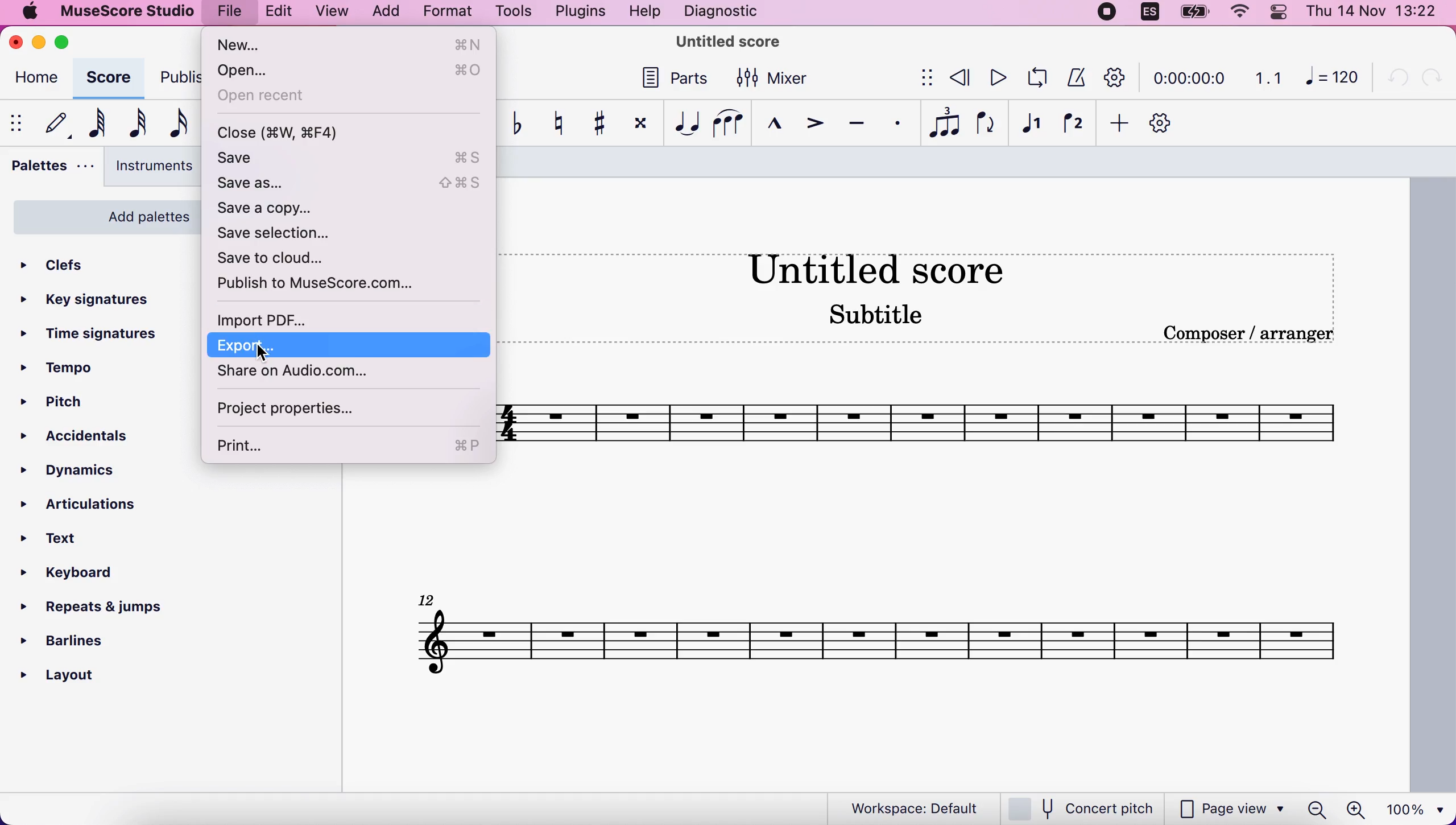 The height and width of the screenshot is (825, 1456). I want to click on 100%, so click(1418, 808).